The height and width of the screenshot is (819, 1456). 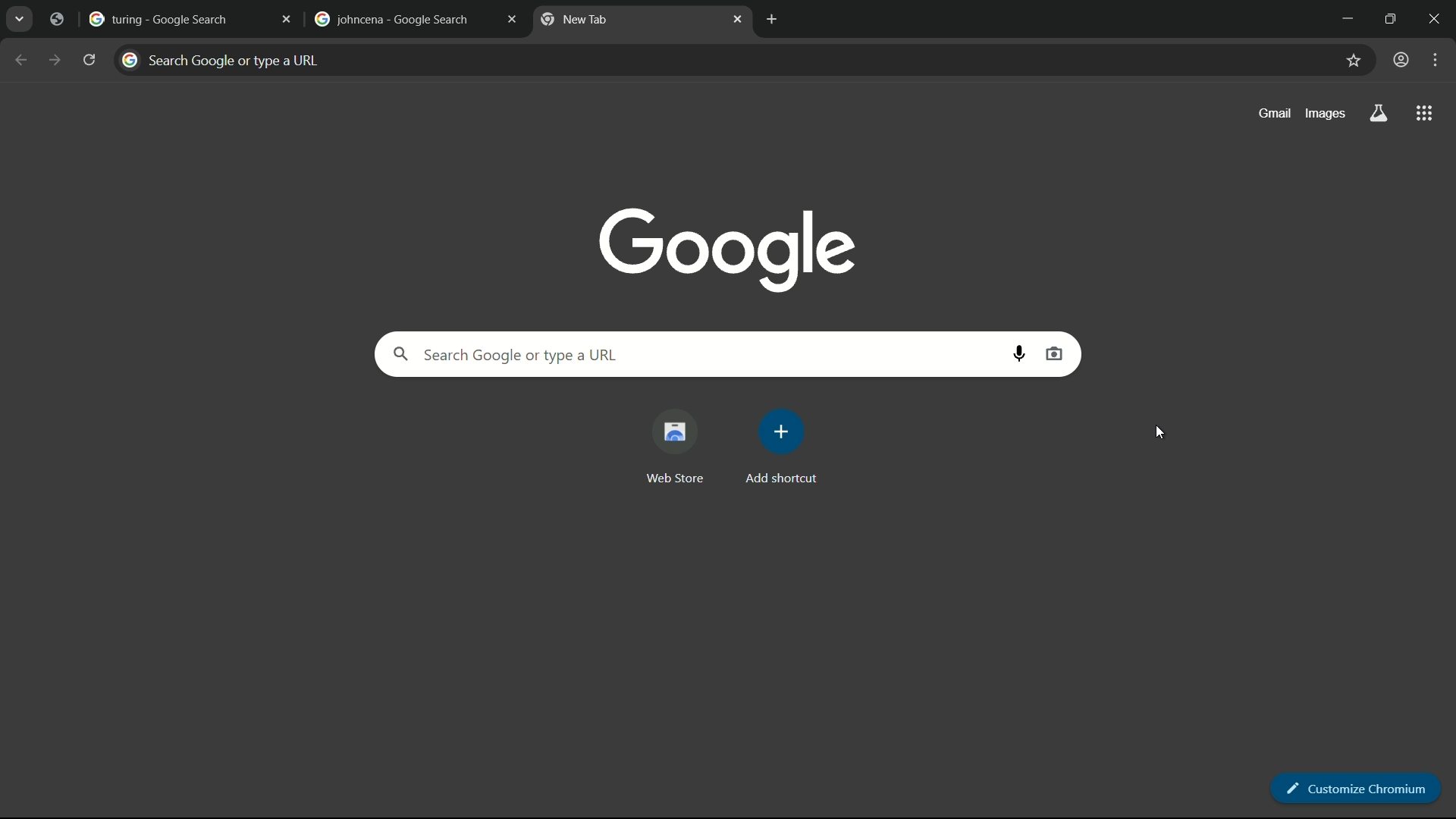 What do you see at coordinates (734, 20) in the screenshot?
I see `close` at bounding box center [734, 20].